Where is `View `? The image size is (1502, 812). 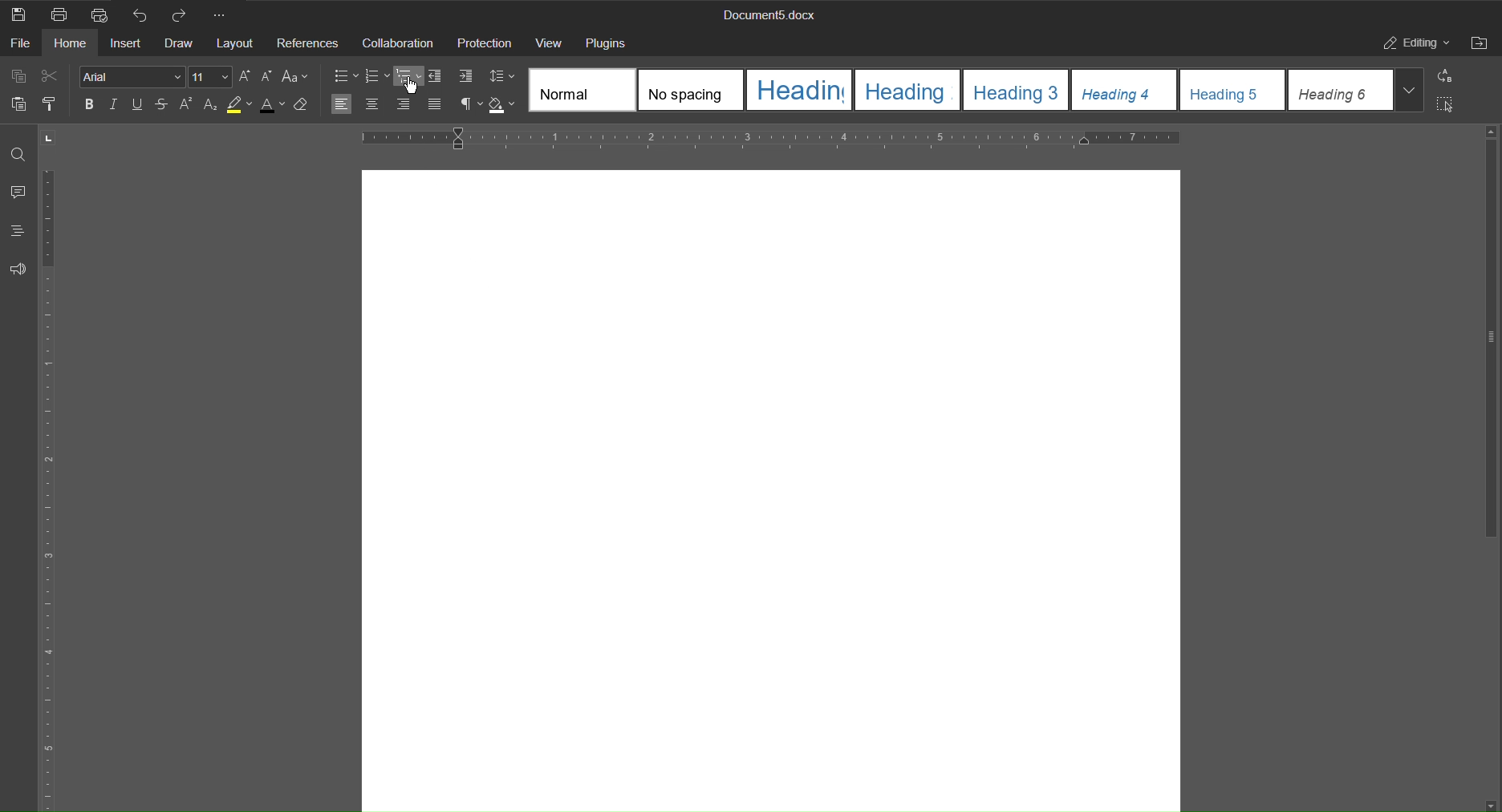 View  is located at coordinates (551, 45).